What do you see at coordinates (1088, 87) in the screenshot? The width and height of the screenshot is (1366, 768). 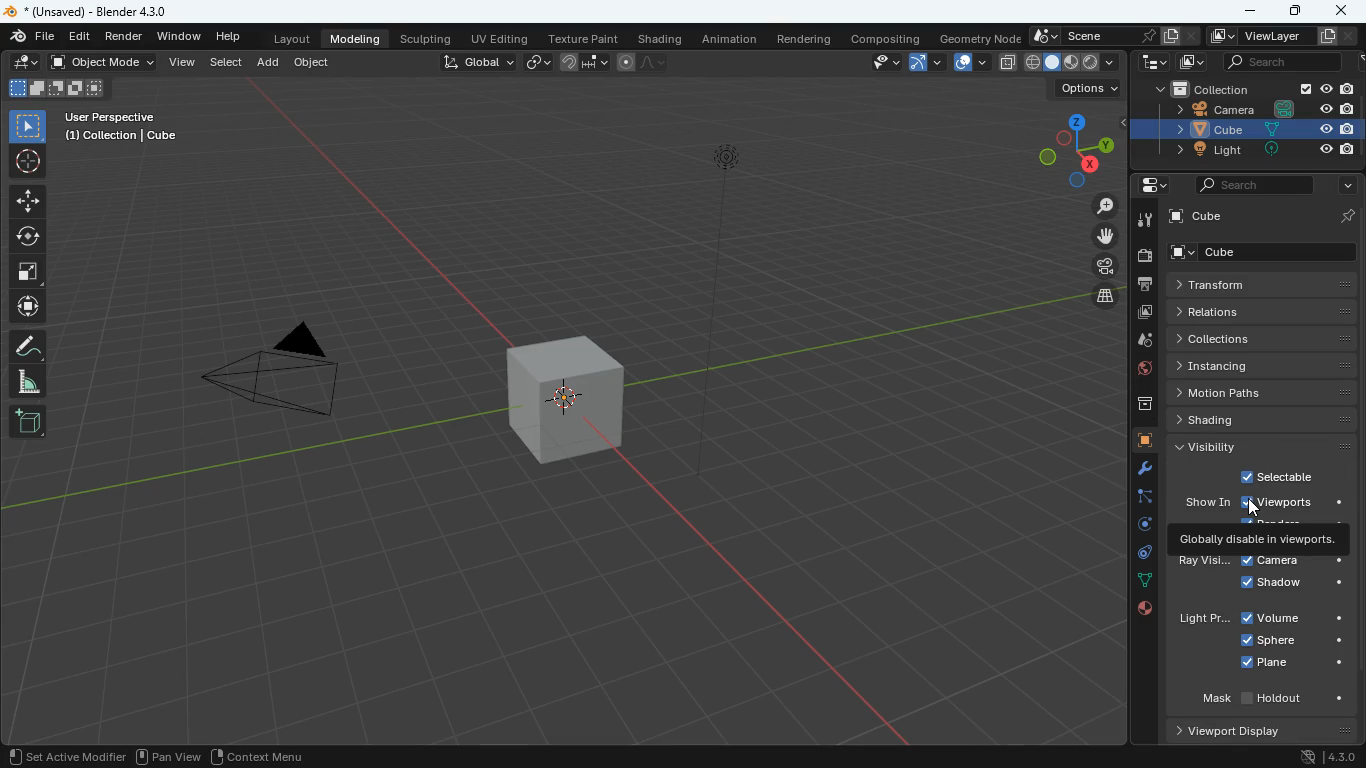 I see `options` at bounding box center [1088, 87].